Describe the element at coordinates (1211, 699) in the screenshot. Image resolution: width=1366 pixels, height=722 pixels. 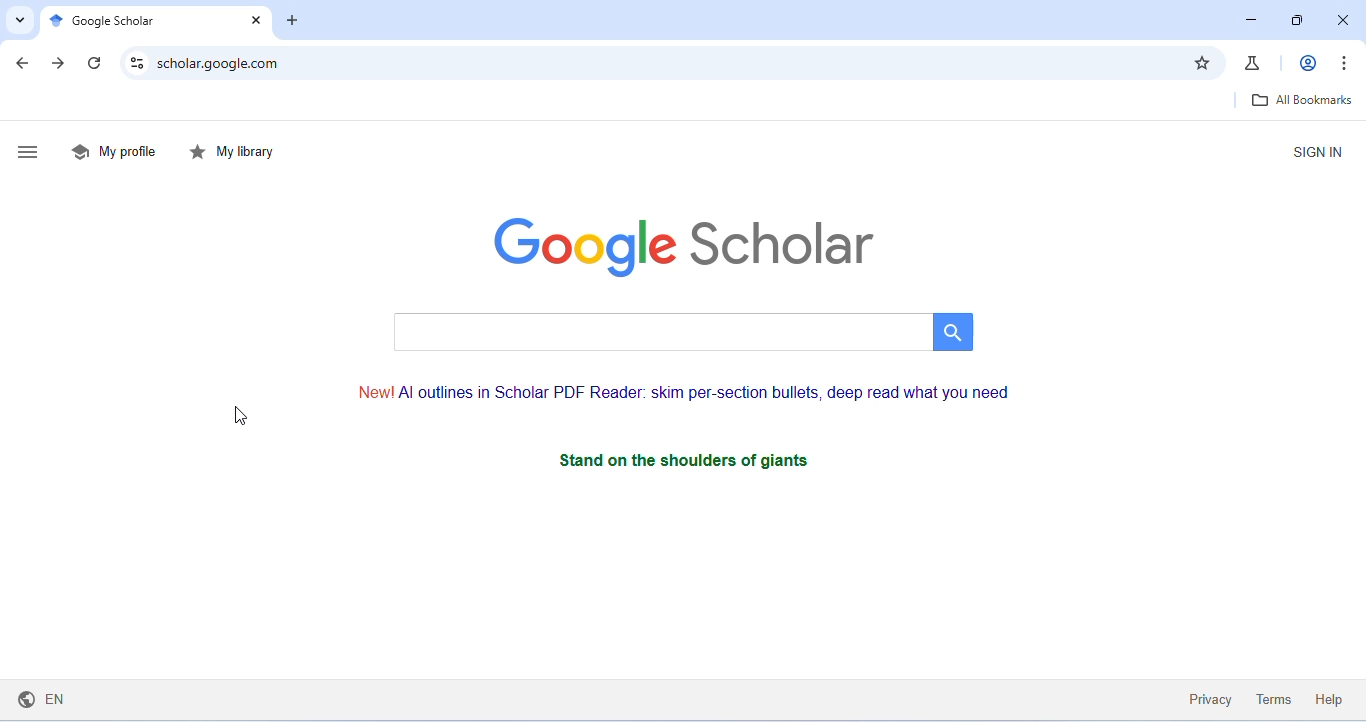
I see `privacy` at that location.